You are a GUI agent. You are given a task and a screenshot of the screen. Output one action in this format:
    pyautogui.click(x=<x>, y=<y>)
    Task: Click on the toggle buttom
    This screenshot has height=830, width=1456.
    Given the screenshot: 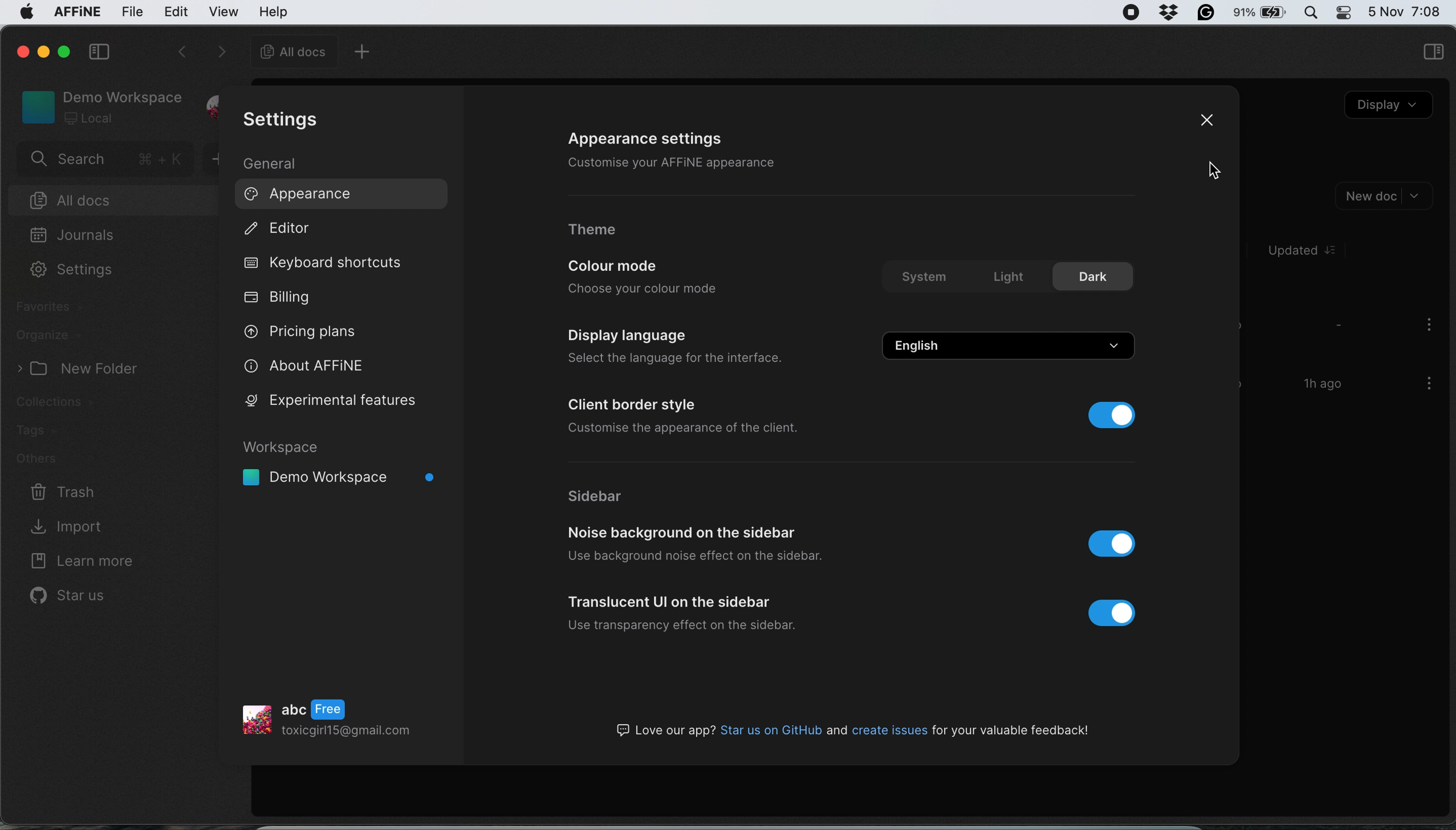 What is the action you would take?
    pyautogui.click(x=1117, y=418)
    